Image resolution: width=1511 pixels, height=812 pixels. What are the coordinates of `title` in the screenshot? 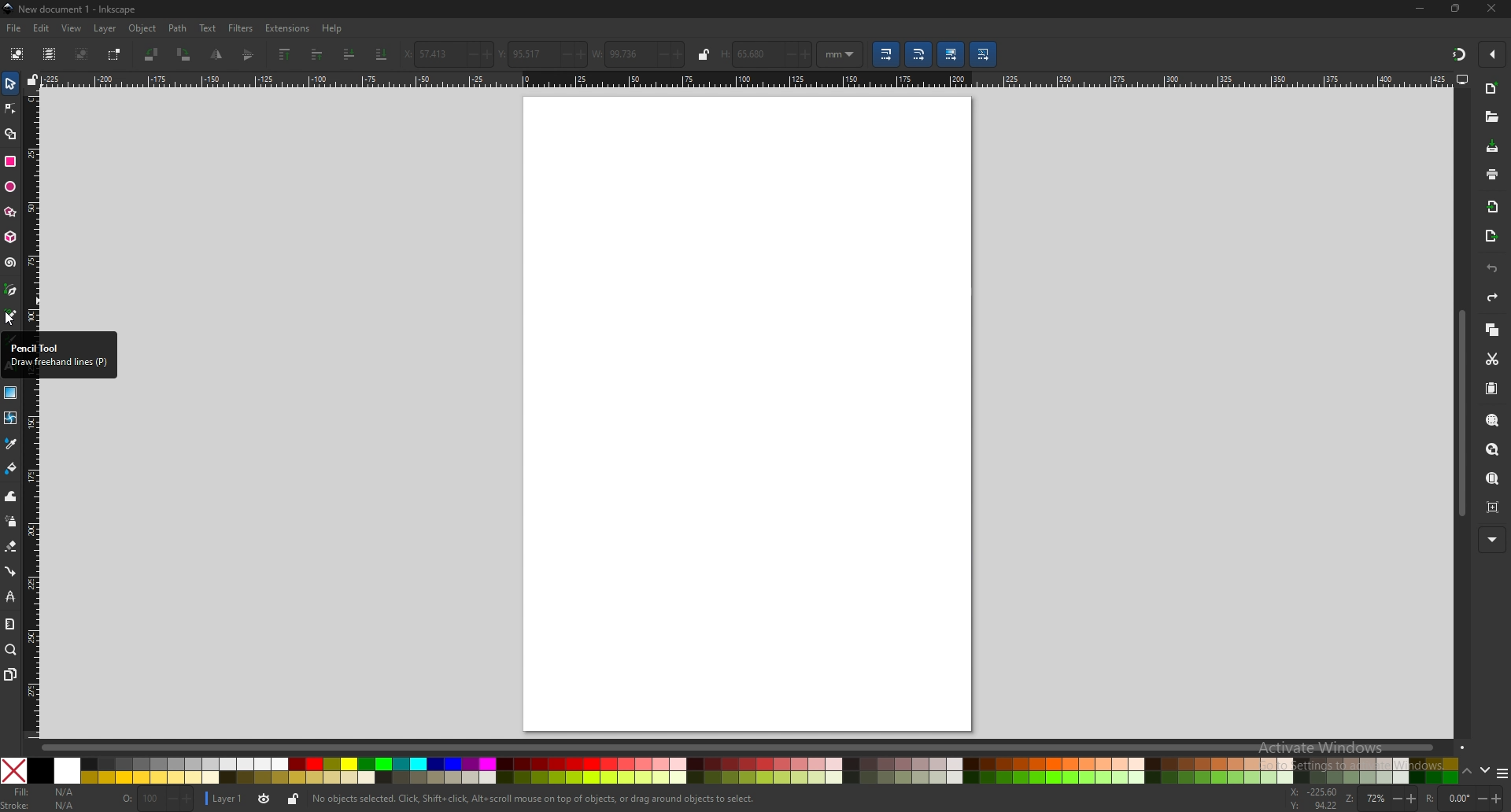 It's located at (69, 9).